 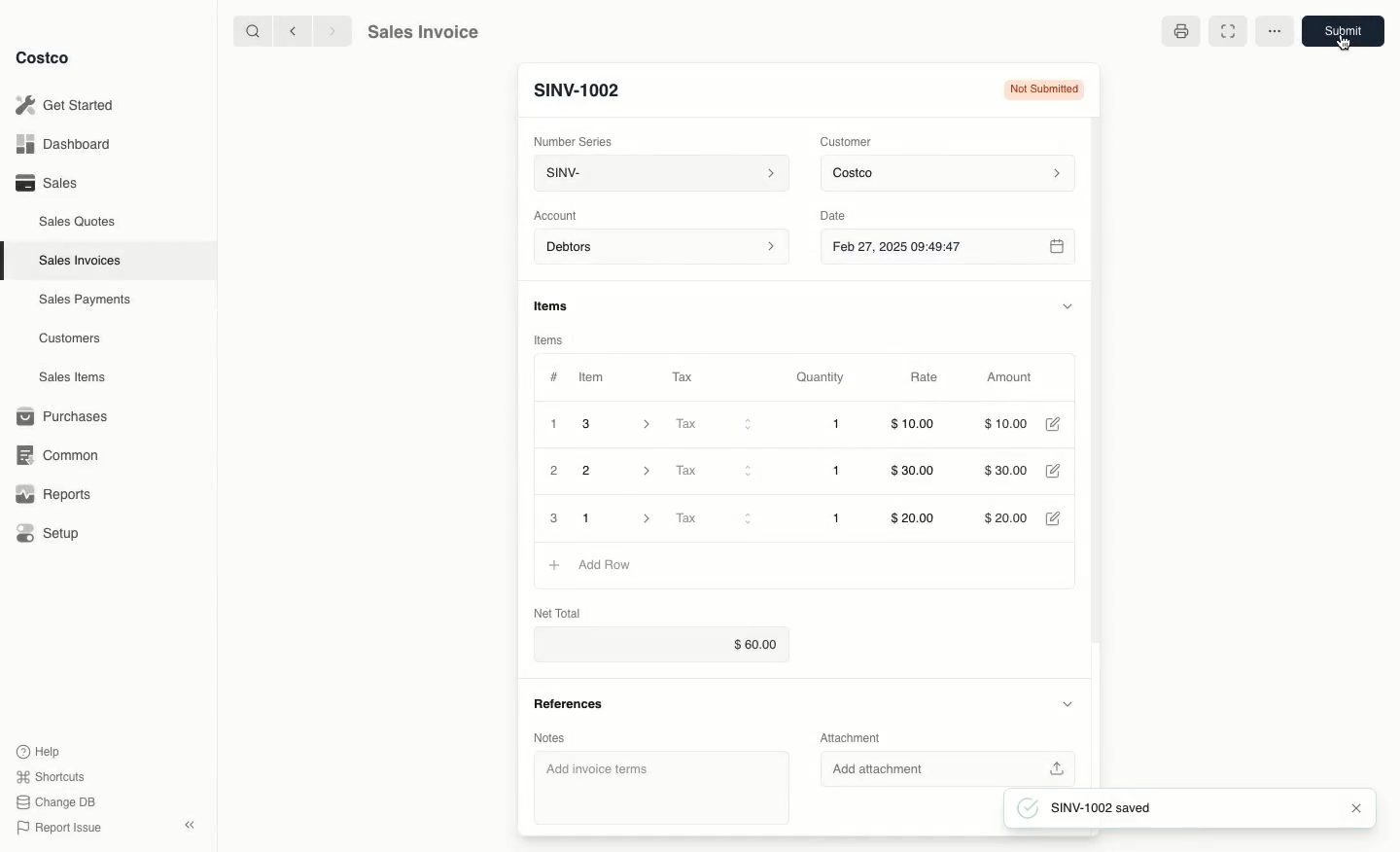 What do you see at coordinates (79, 221) in the screenshot?
I see `Sales Quotes` at bounding box center [79, 221].